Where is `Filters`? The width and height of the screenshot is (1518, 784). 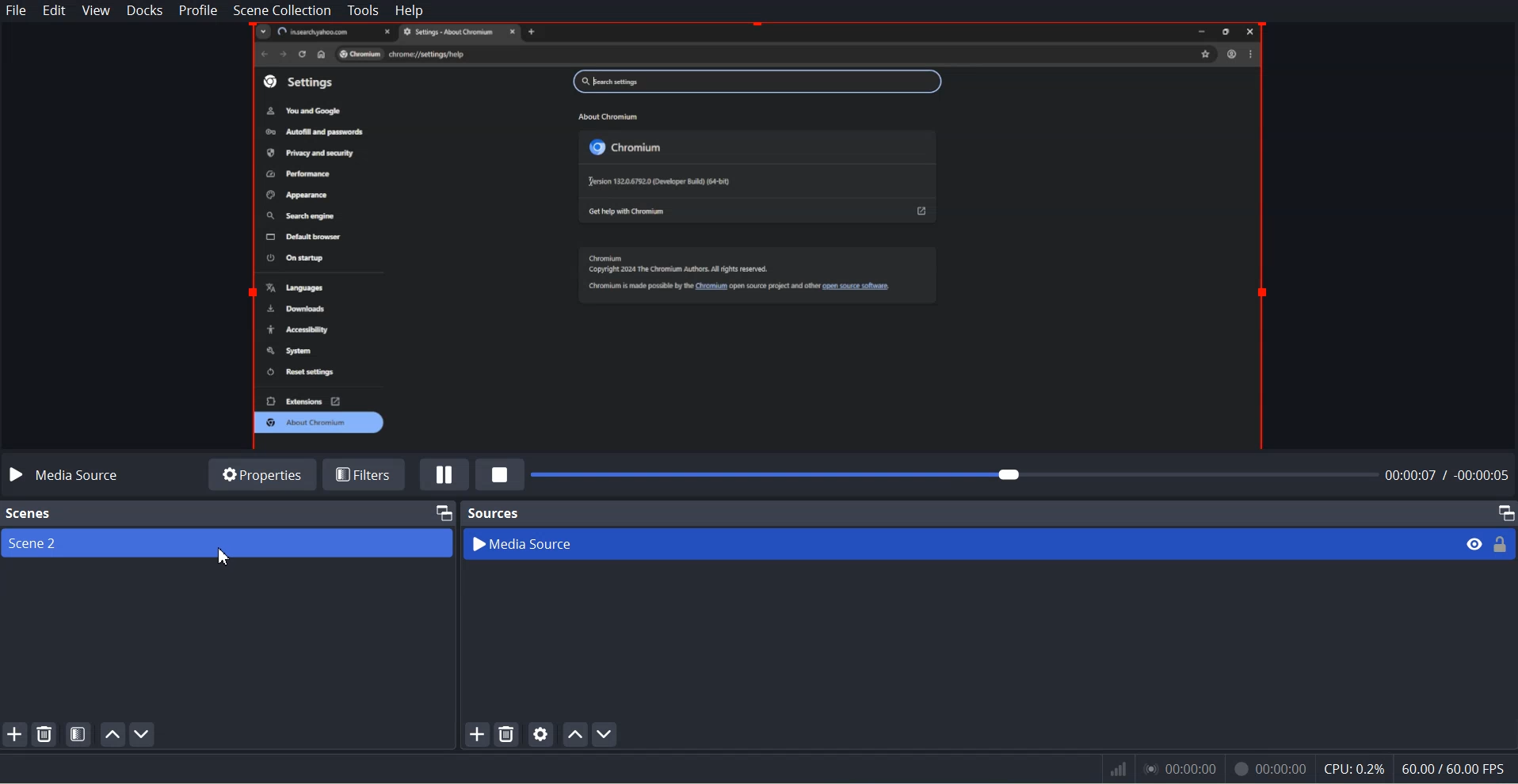
Filters is located at coordinates (367, 473).